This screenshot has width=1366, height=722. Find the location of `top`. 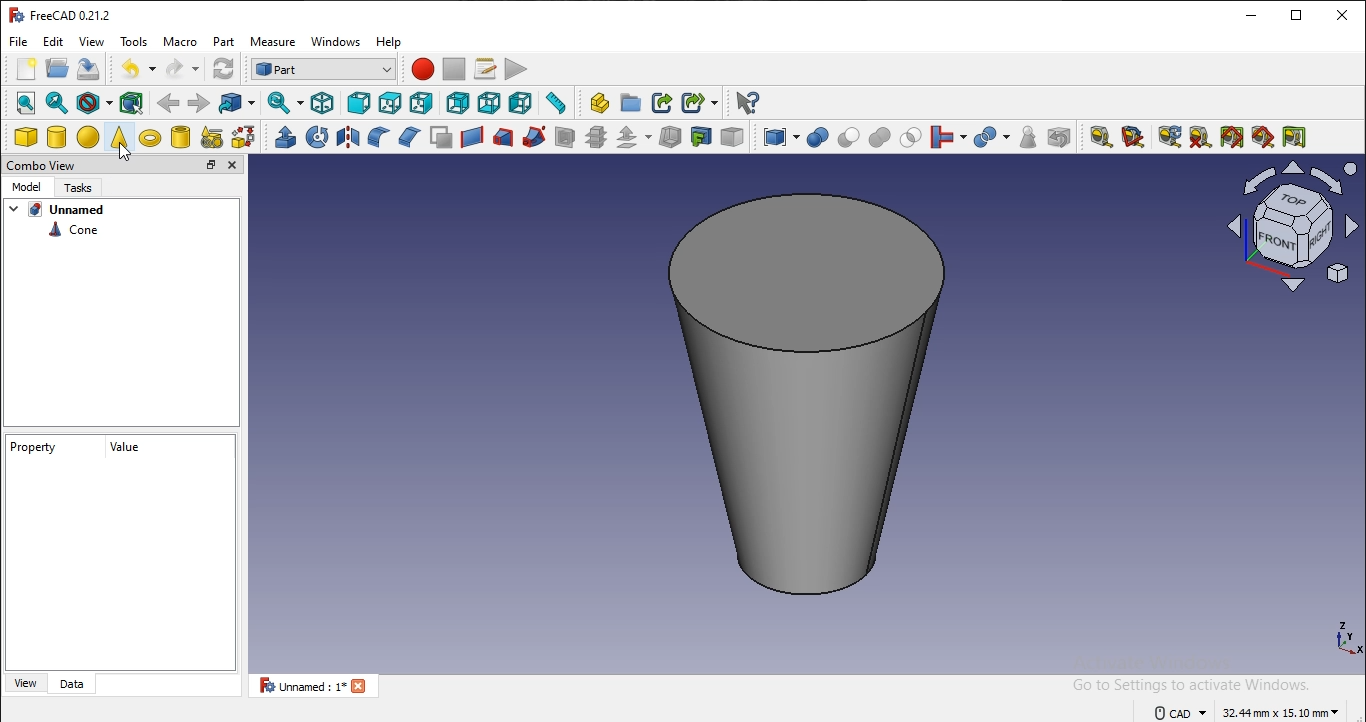

top is located at coordinates (388, 102).